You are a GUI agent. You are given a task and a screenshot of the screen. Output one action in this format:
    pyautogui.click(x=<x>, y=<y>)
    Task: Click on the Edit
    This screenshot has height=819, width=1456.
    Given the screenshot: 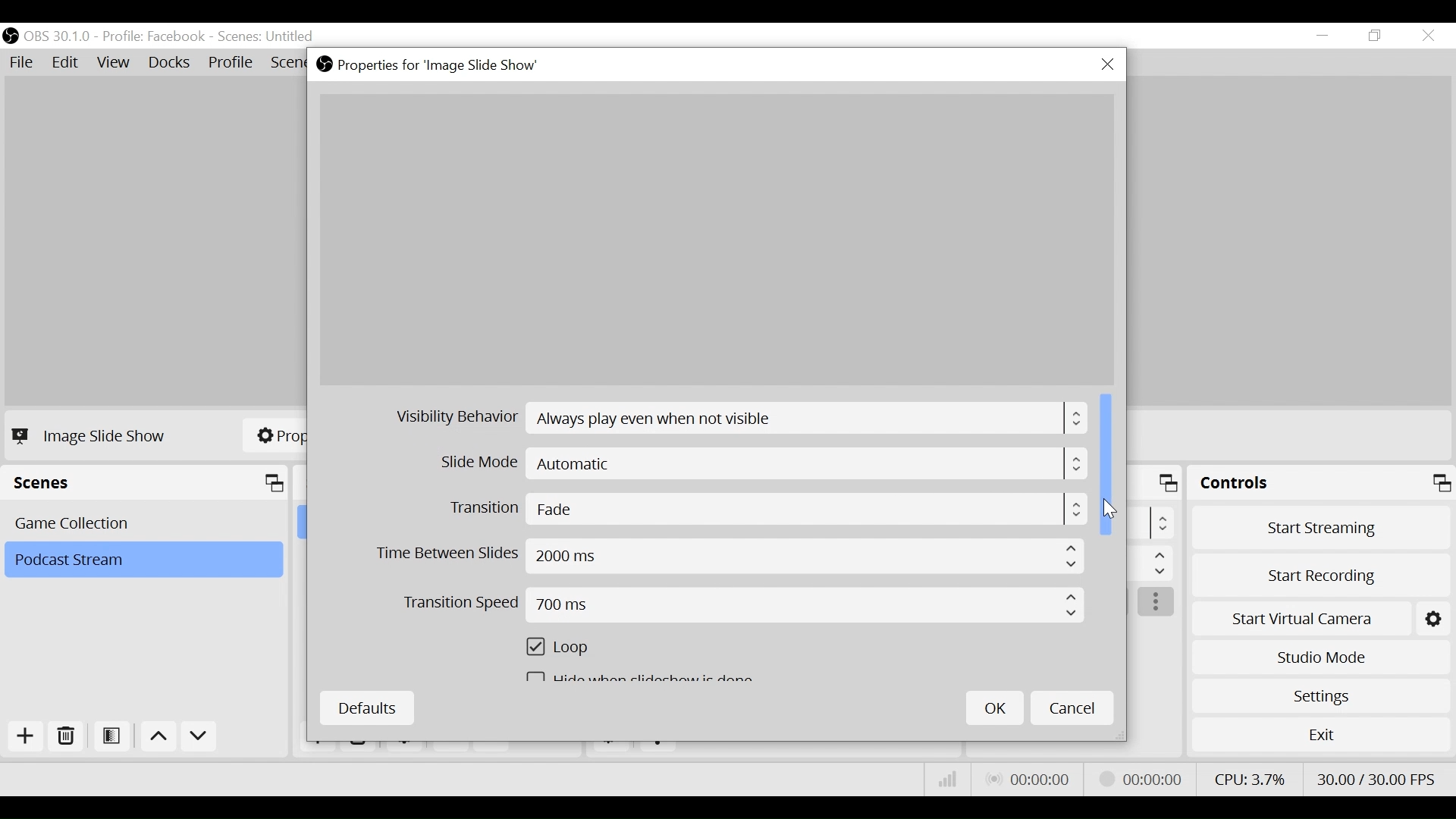 What is the action you would take?
    pyautogui.click(x=67, y=63)
    